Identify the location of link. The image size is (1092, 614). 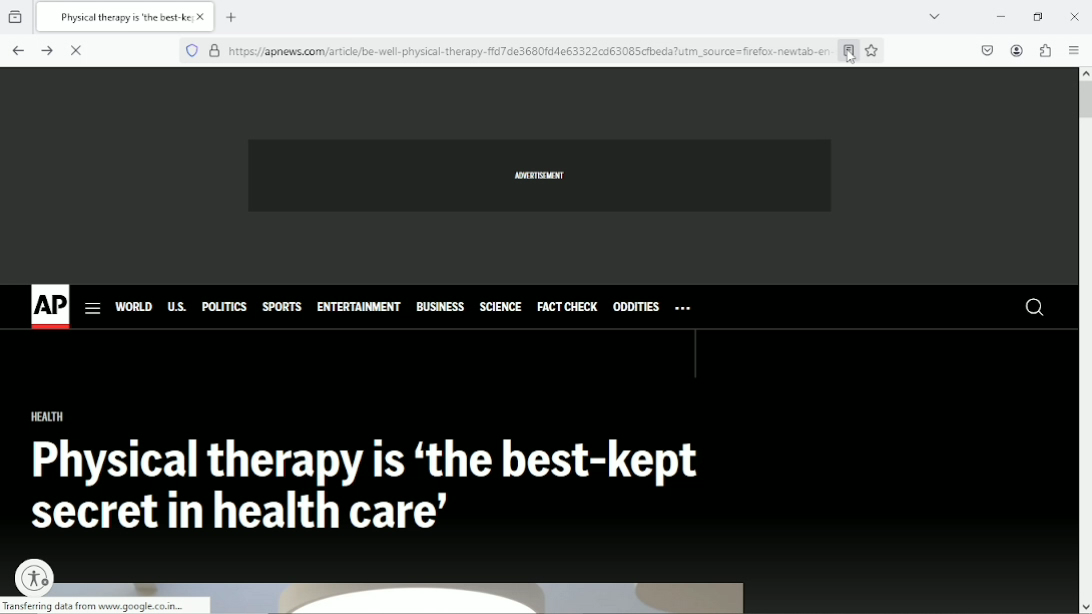
(529, 50).